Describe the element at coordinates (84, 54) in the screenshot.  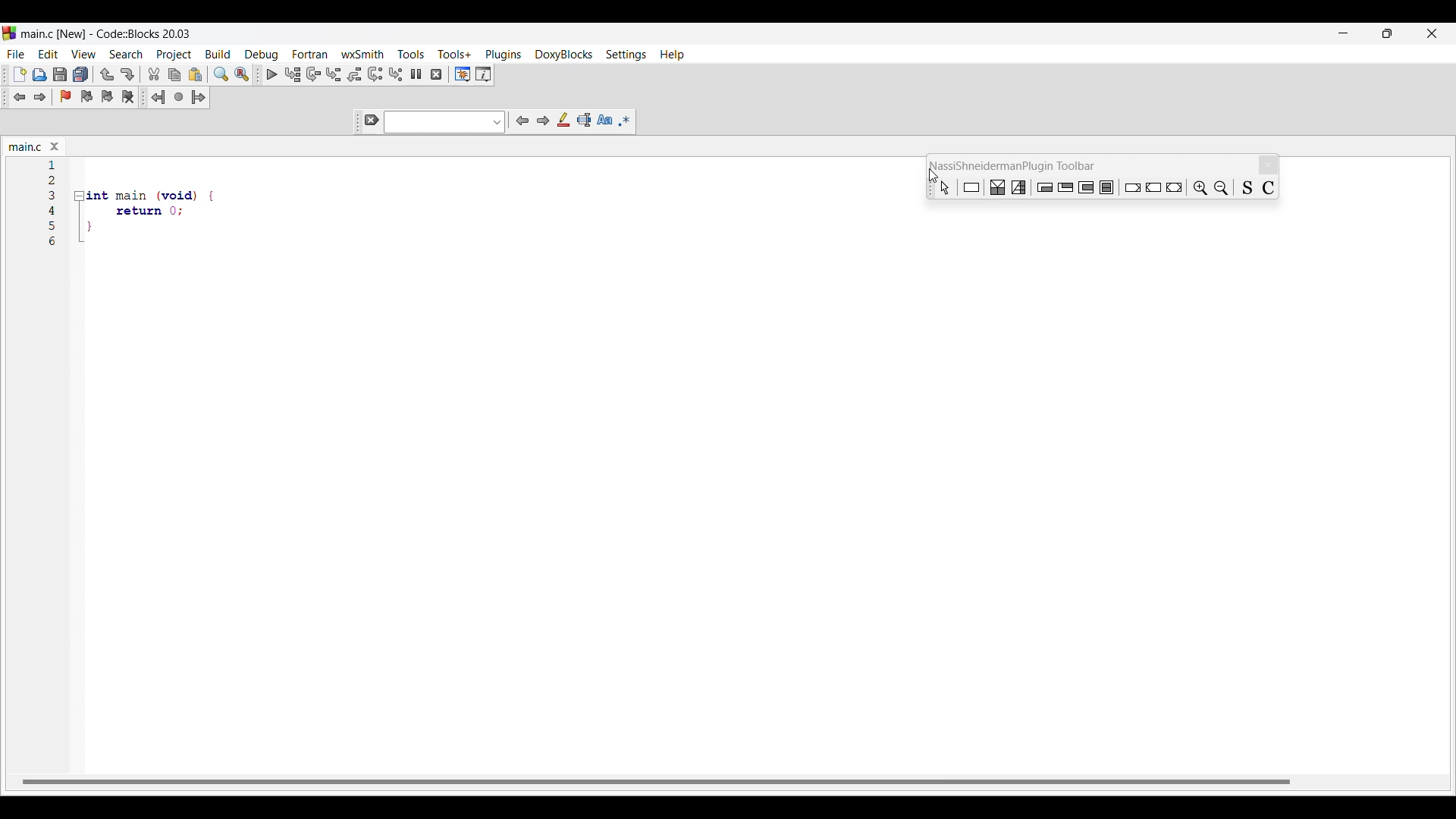
I see `View menu` at that location.